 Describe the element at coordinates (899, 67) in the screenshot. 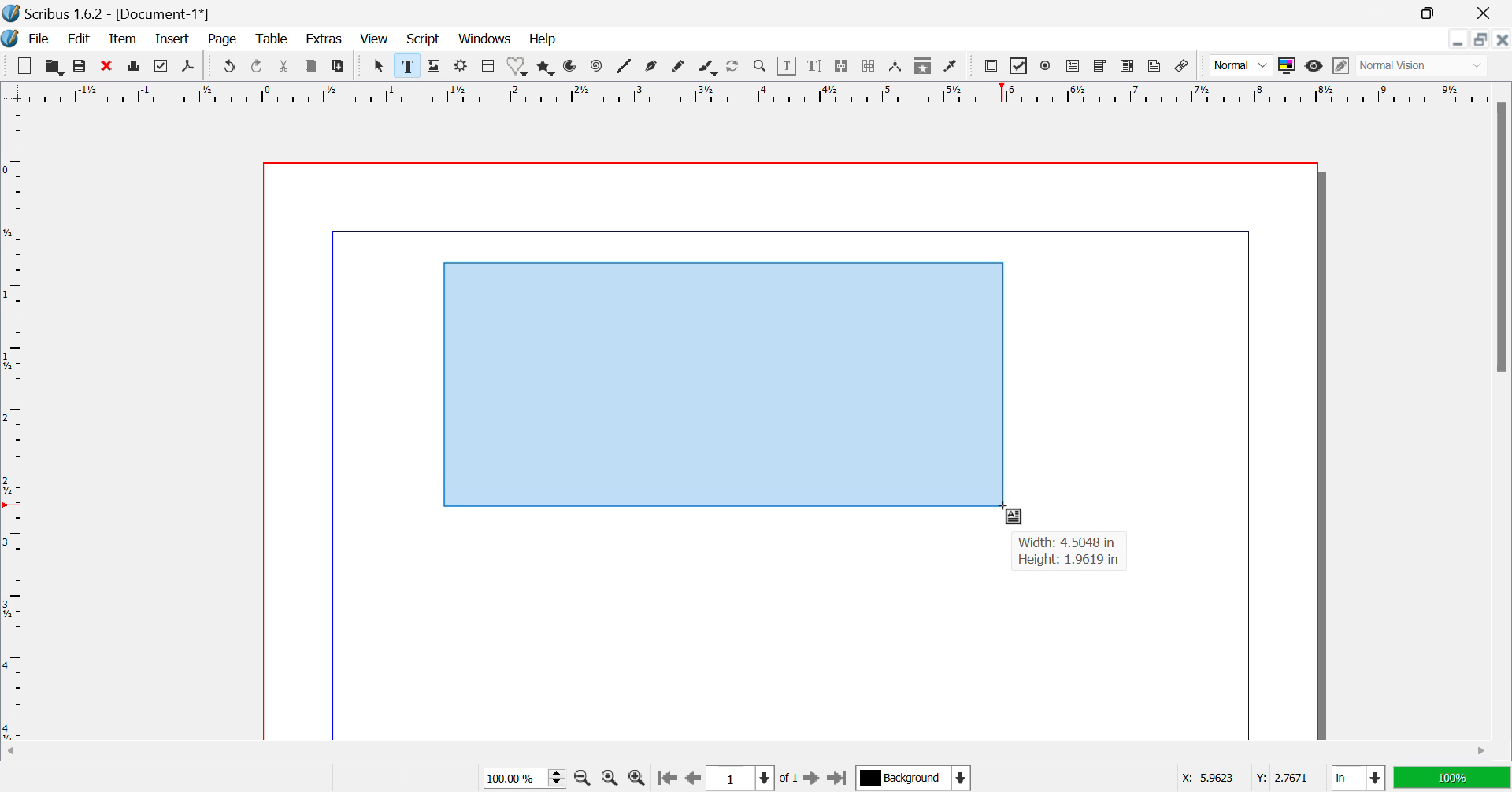

I see `Measurements` at that location.